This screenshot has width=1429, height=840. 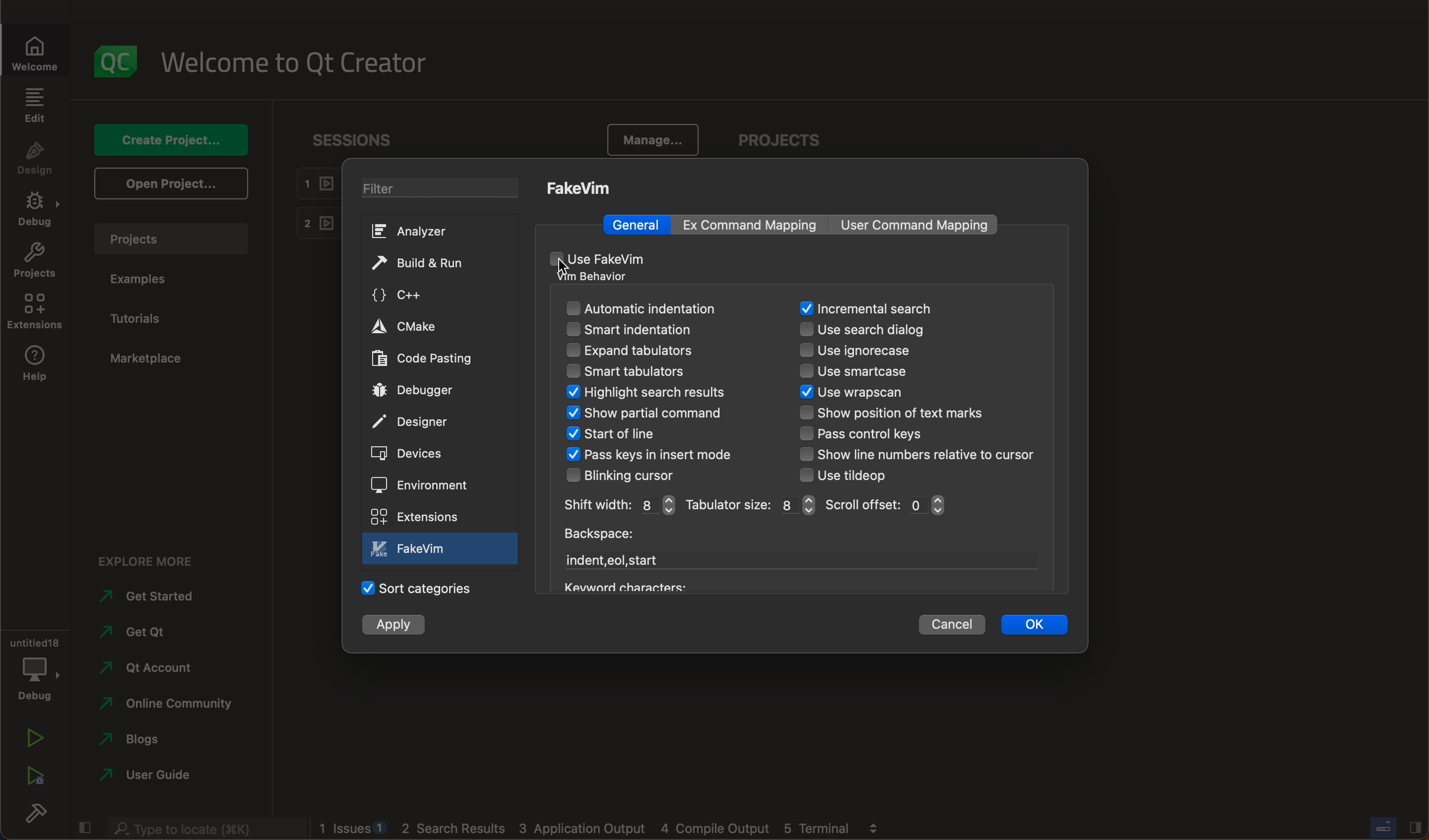 I want to click on command mapping, so click(x=917, y=226).